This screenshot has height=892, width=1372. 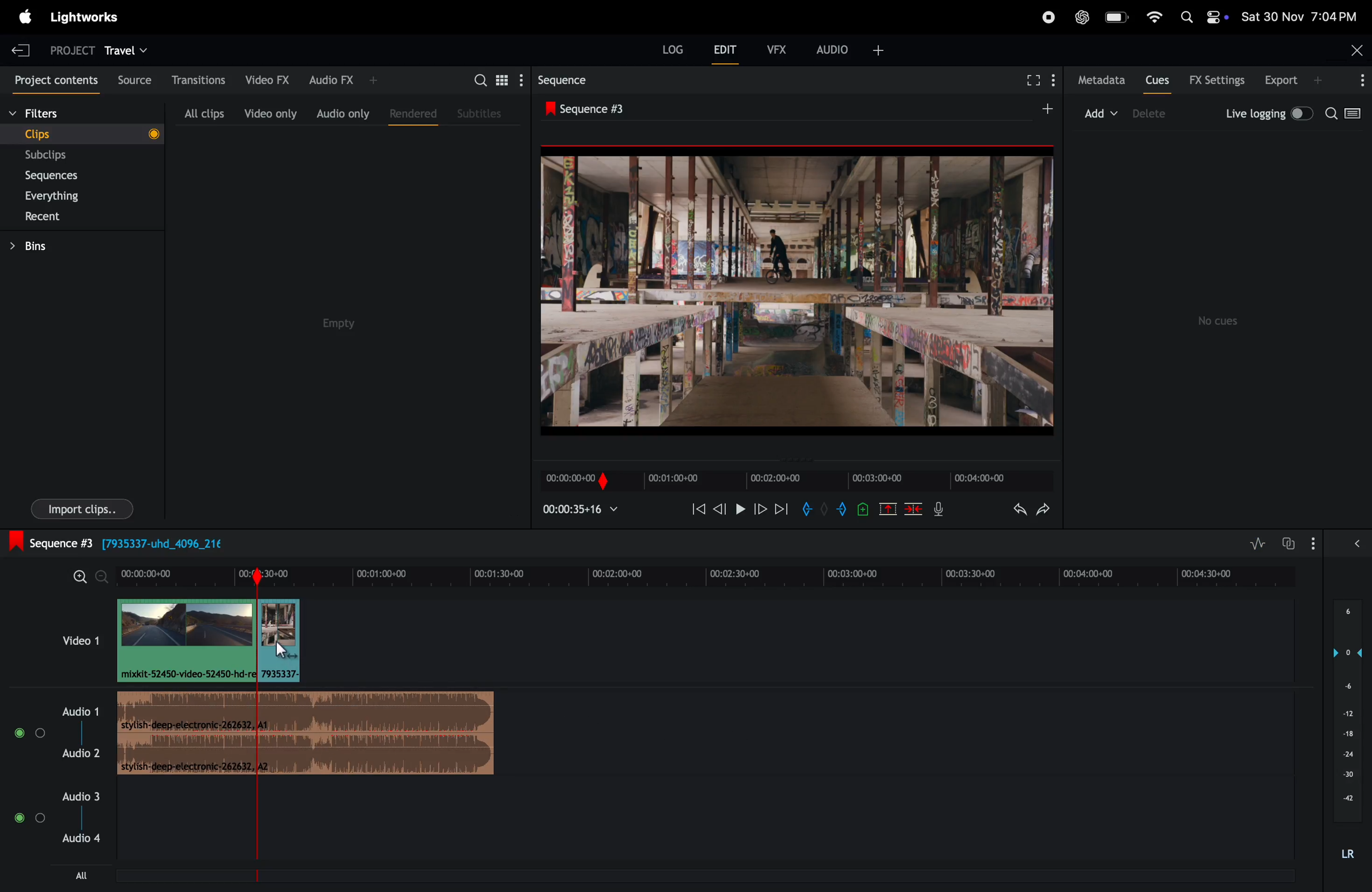 What do you see at coordinates (1267, 114) in the screenshot?
I see `live logging` at bounding box center [1267, 114].